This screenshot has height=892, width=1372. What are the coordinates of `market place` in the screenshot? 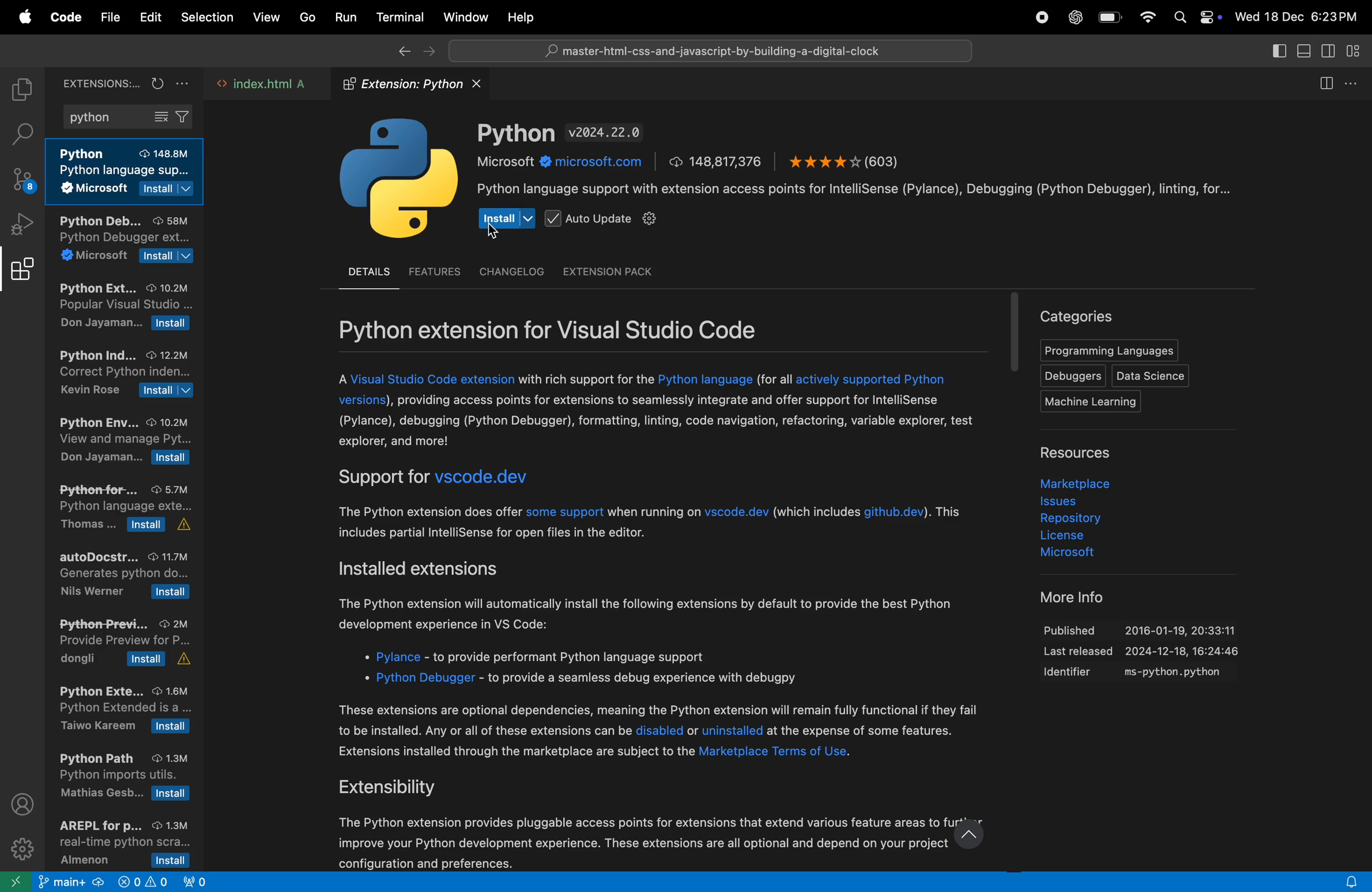 It's located at (1072, 482).